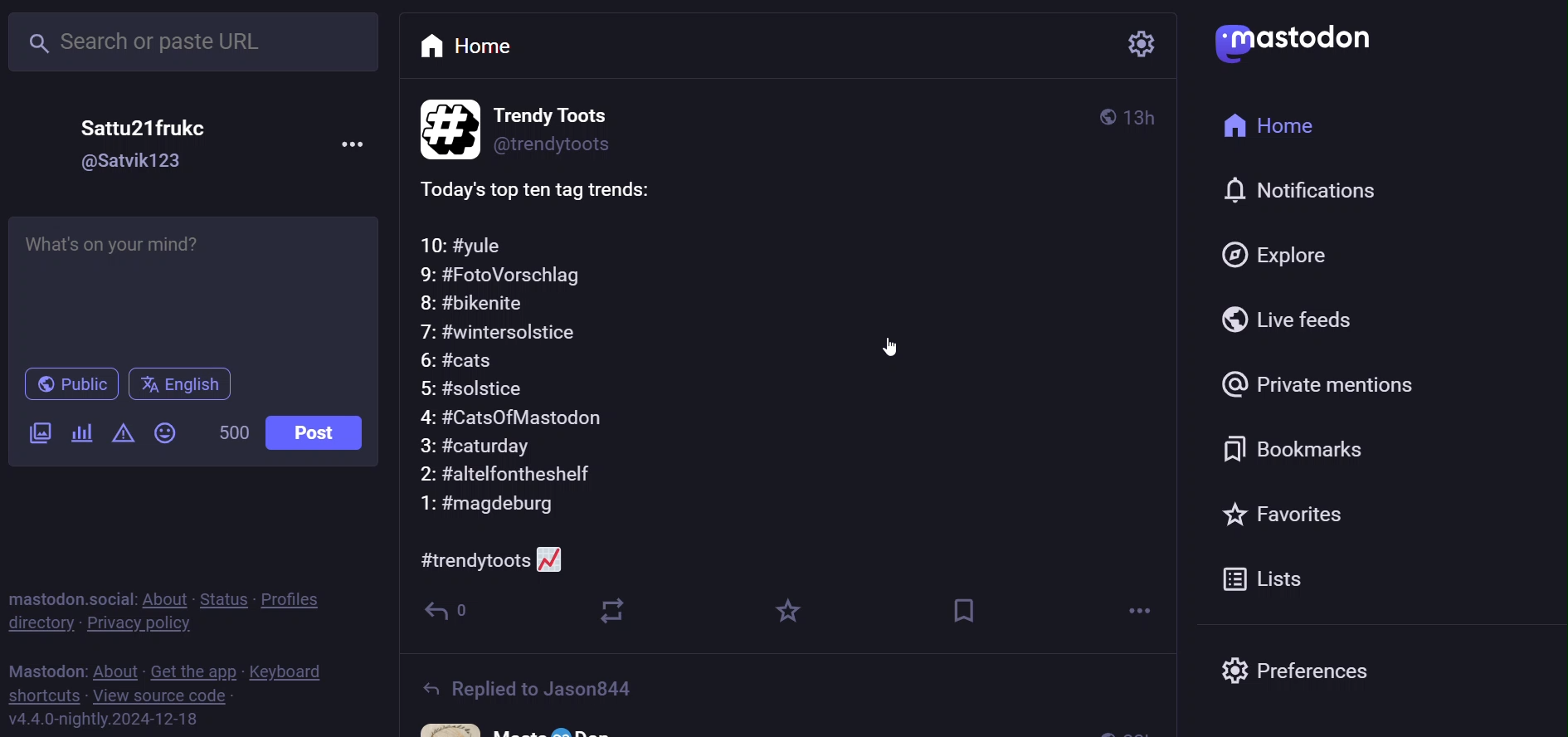  What do you see at coordinates (1098, 116) in the screenshot?
I see `public` at bounding box center [1098, 116].